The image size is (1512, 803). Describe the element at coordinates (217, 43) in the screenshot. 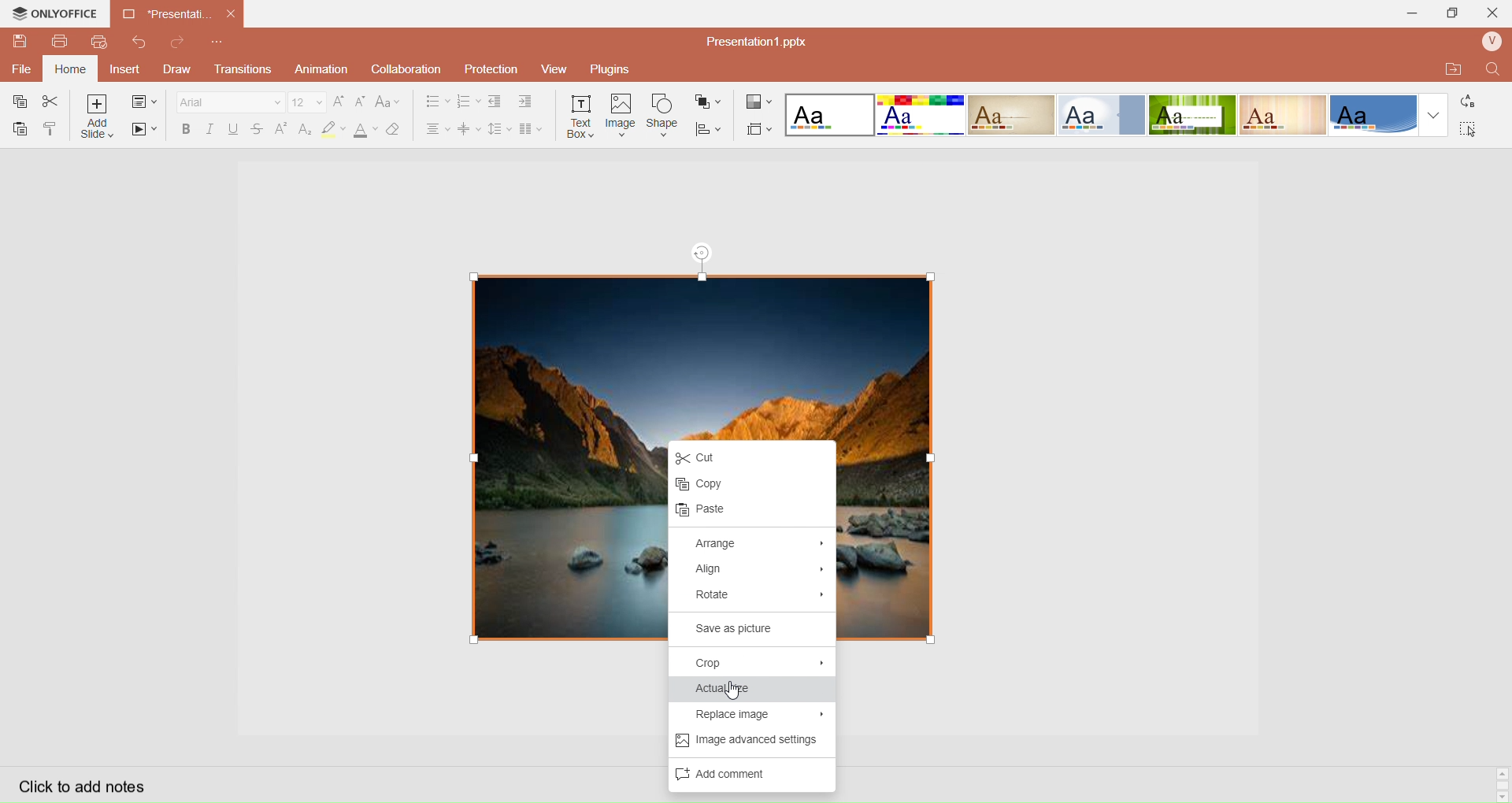

I see `Customize Quick Access Toolbar` at that location.